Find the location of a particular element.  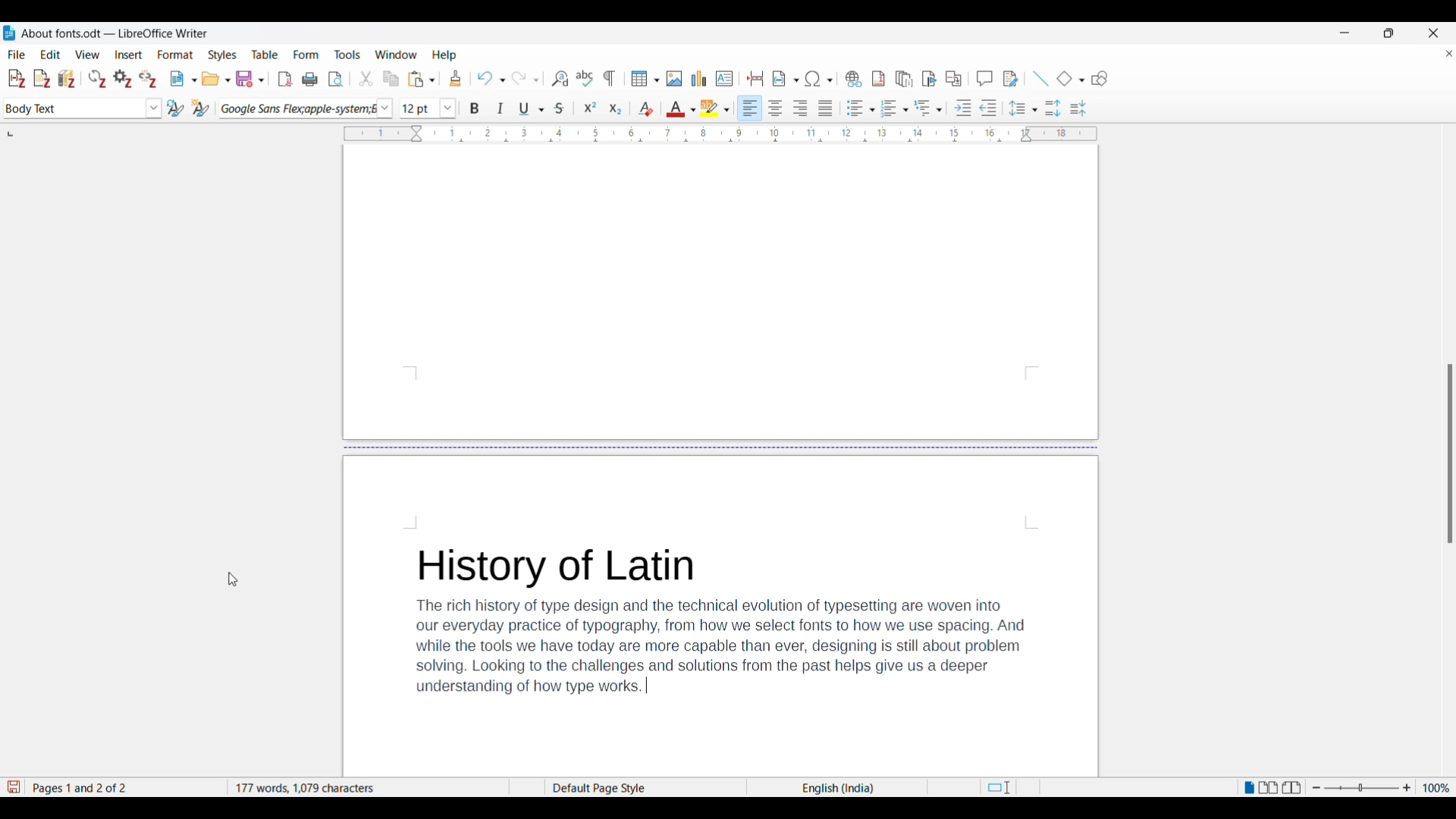

Align justified is located at coordinates (826, 108).